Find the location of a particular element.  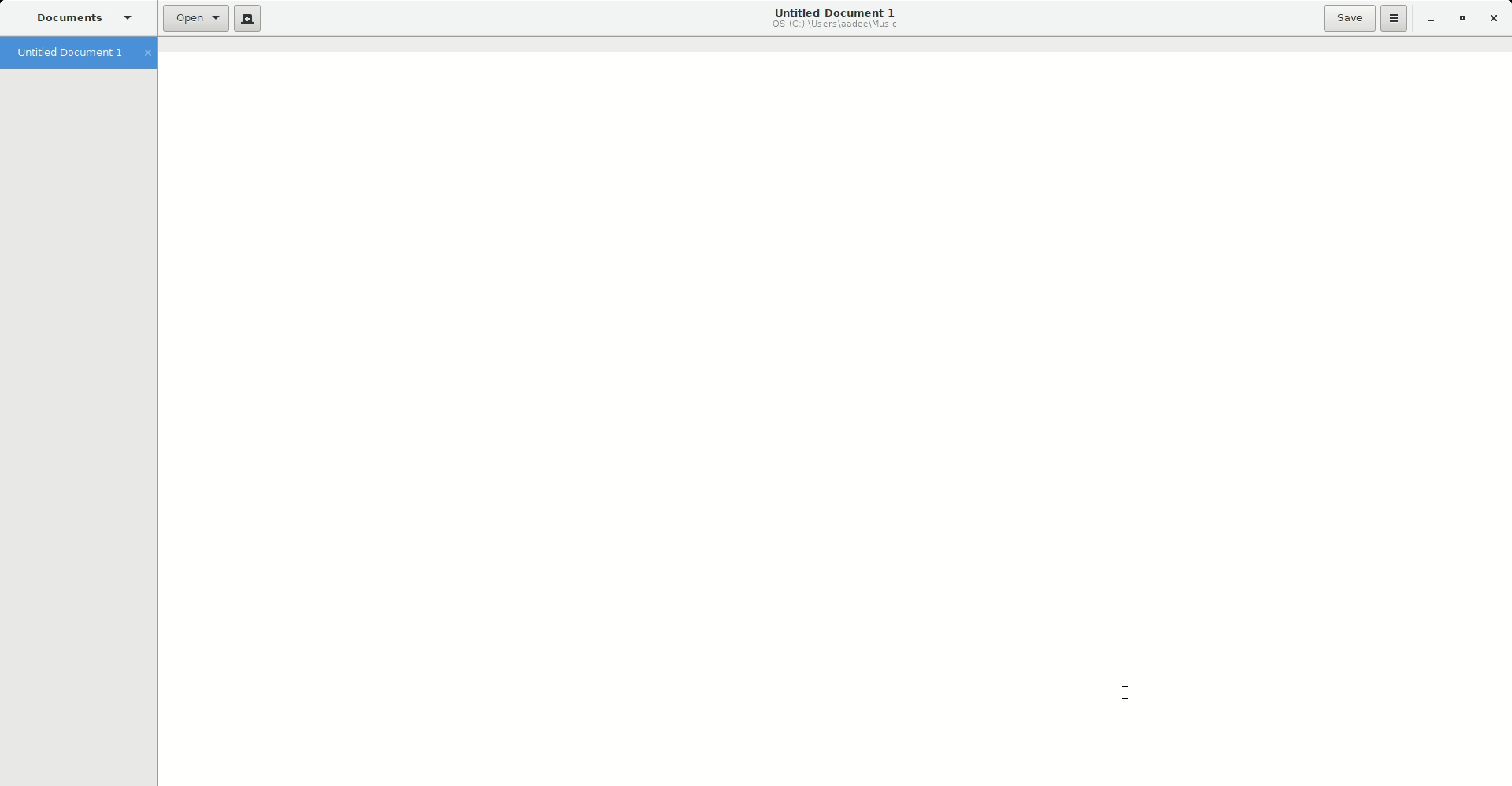

Cursor is located at coordinates (1128, 695).